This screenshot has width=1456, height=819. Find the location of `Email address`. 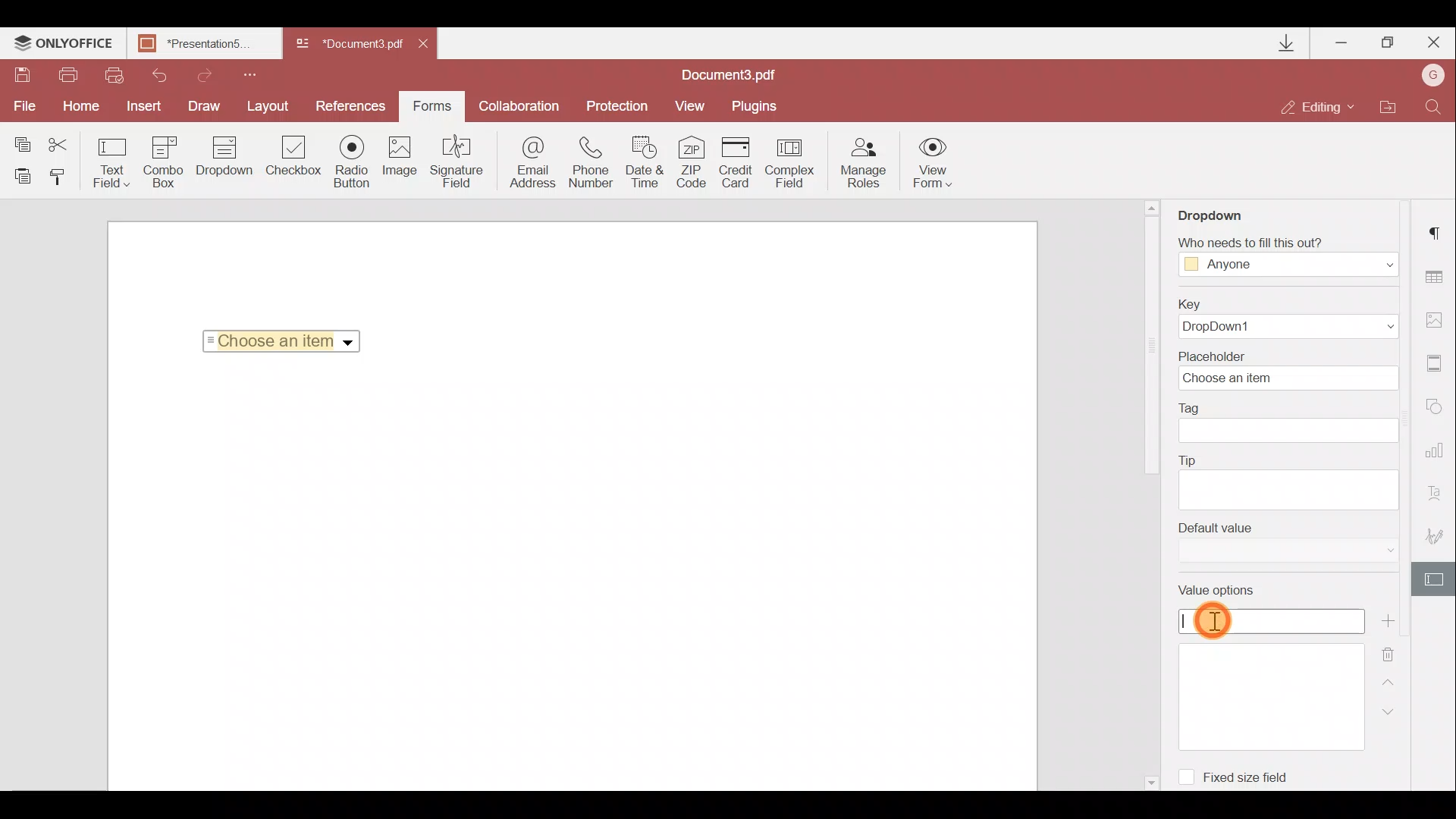

Email address is located at coordinates (533, 165).